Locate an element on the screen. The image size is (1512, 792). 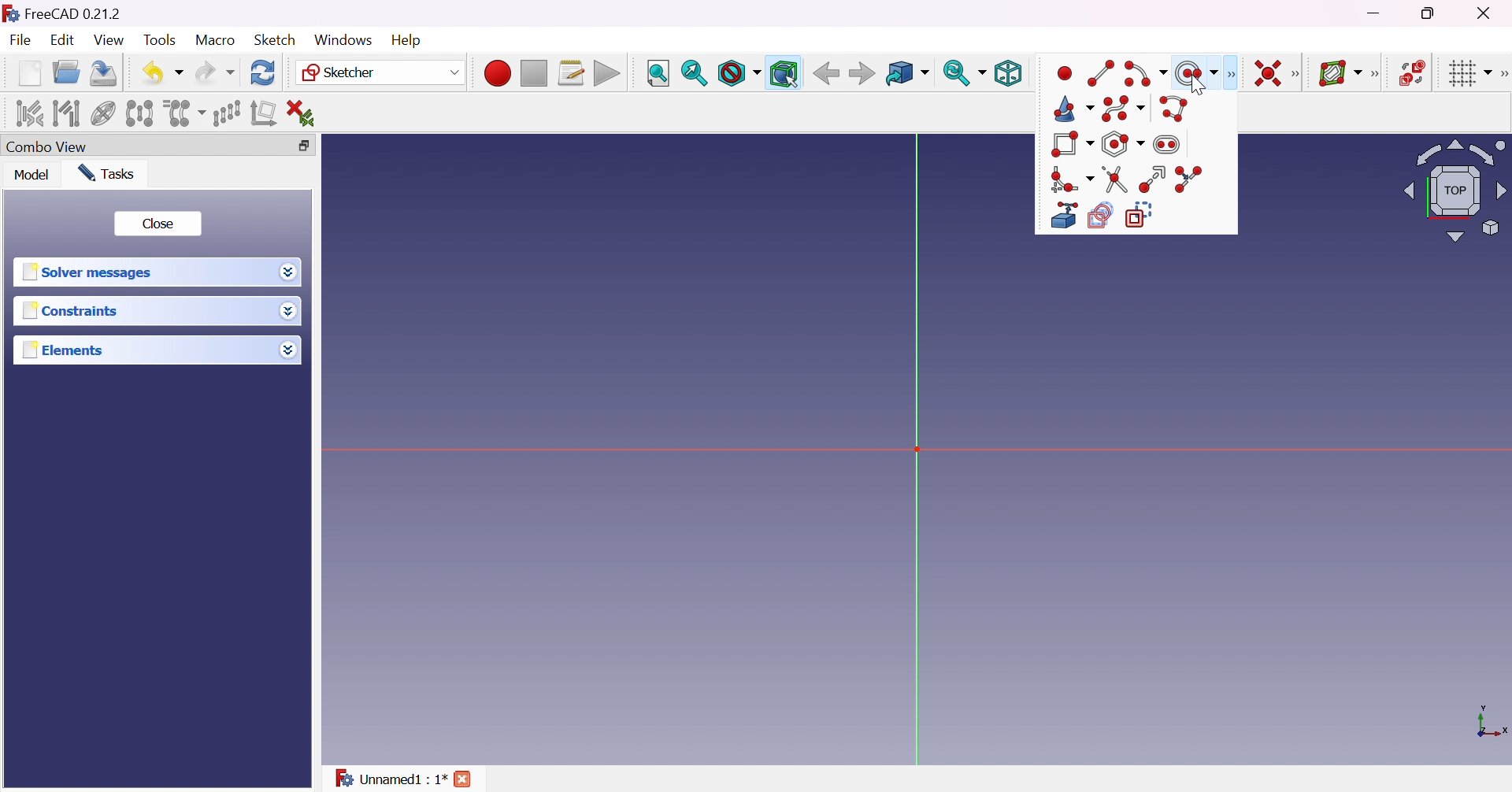
Model is located at coordinates (31, 175).